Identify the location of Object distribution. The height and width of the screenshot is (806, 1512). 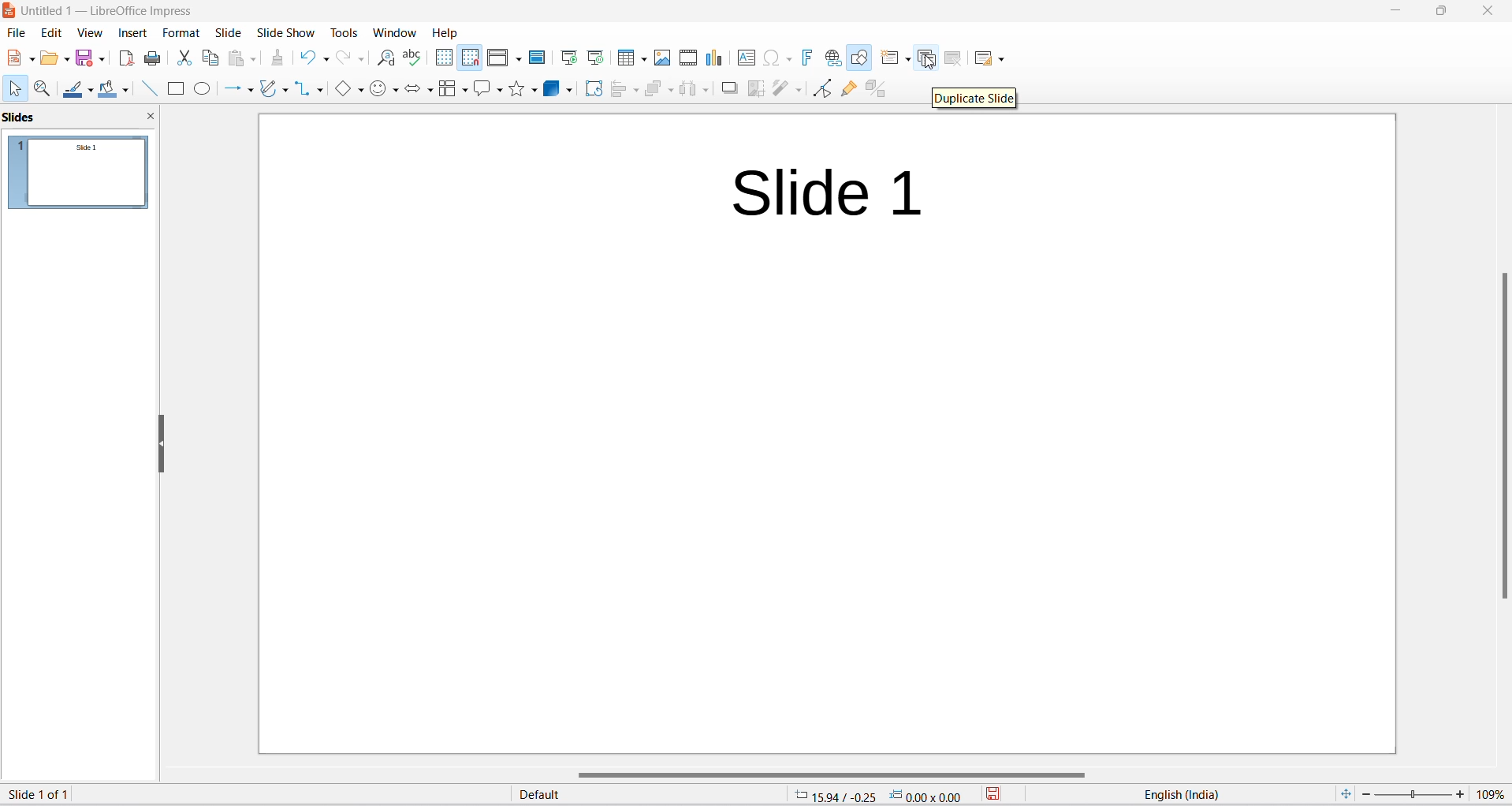
(697, 89).